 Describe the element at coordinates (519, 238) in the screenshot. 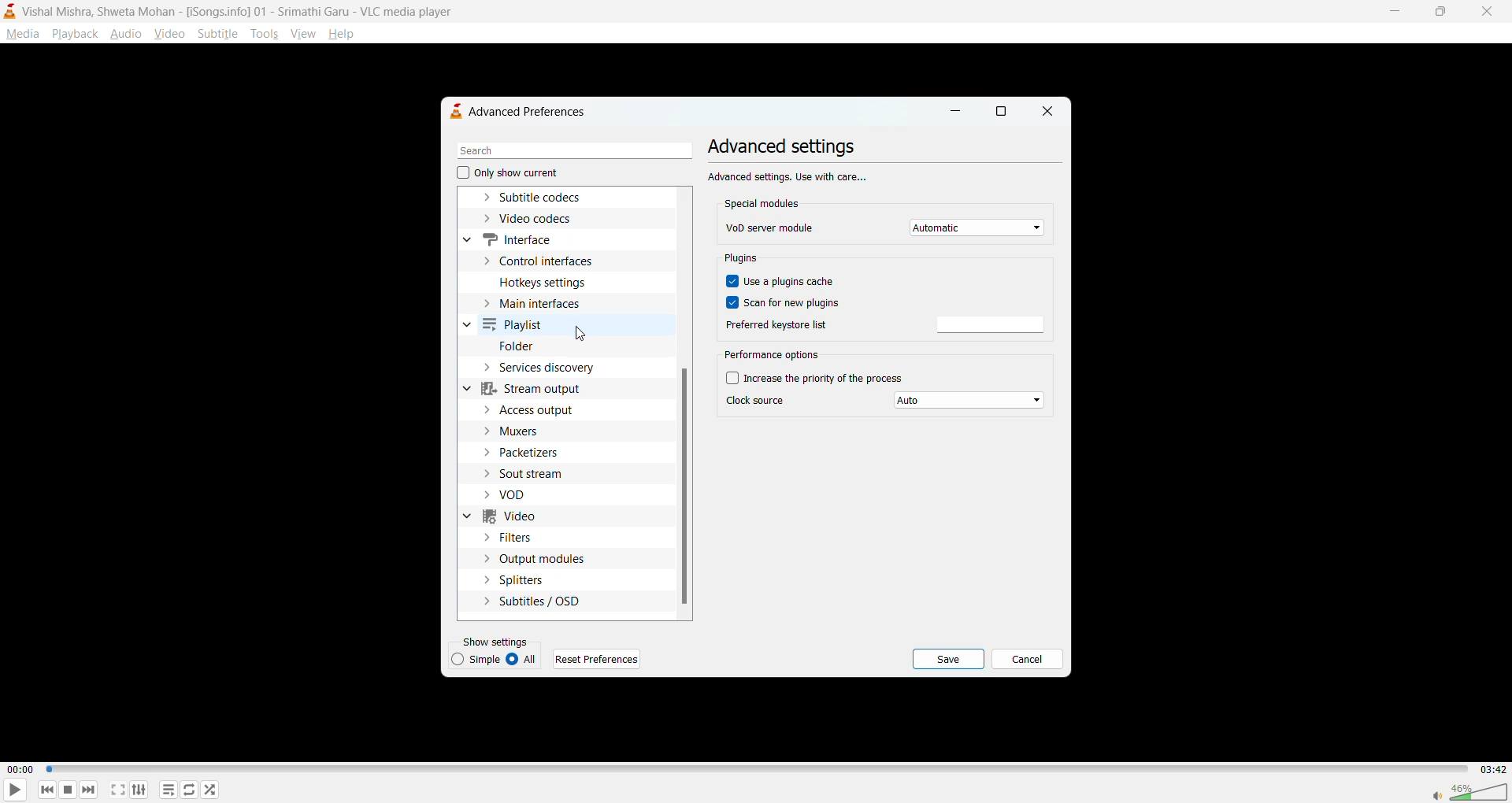

I see `interface` at that location.